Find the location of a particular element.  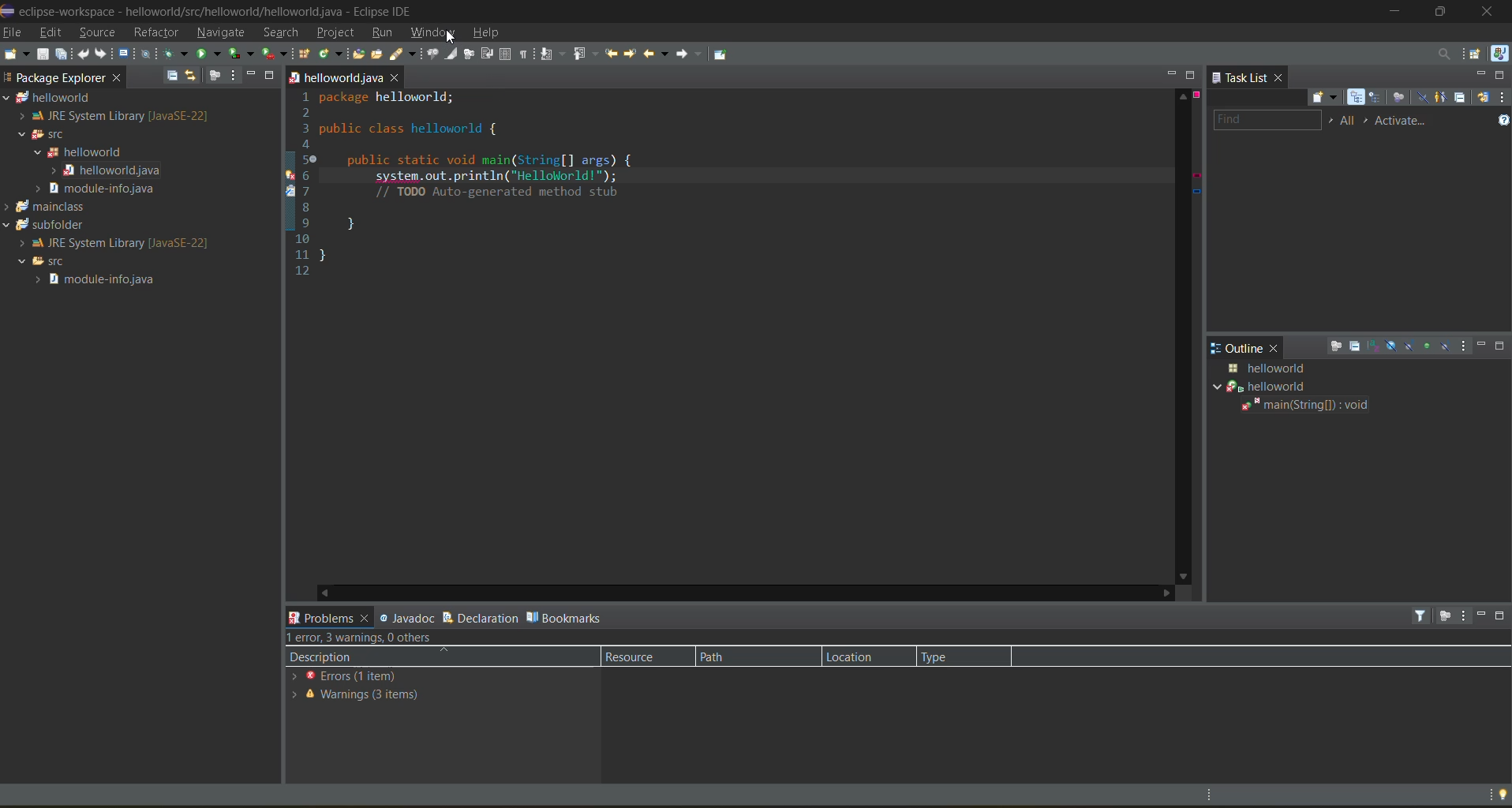

helloworld java is located at coordinates (107, 171).